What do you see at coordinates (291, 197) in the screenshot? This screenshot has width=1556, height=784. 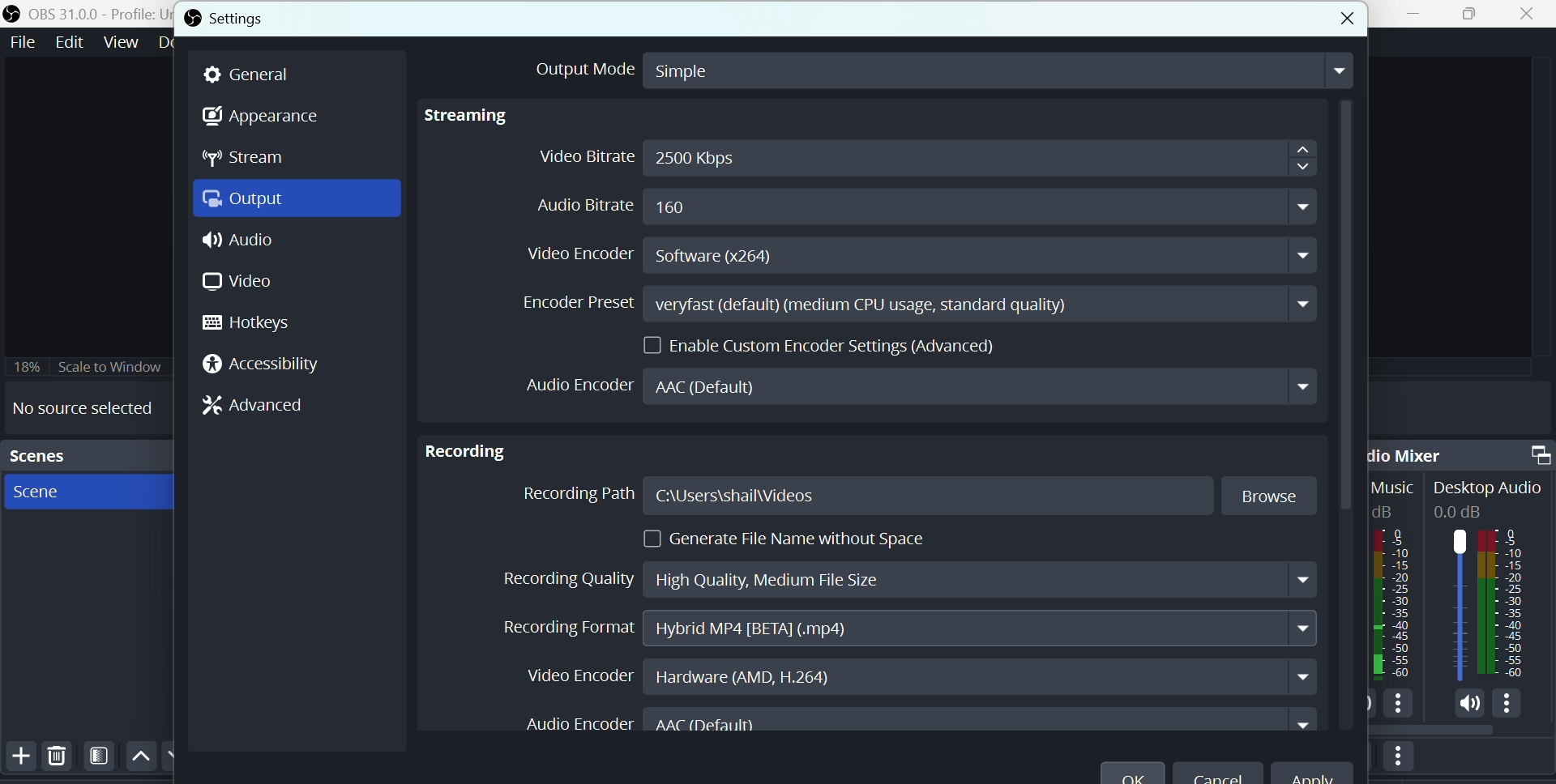 I see `Output` at bounding box center [291, 197].